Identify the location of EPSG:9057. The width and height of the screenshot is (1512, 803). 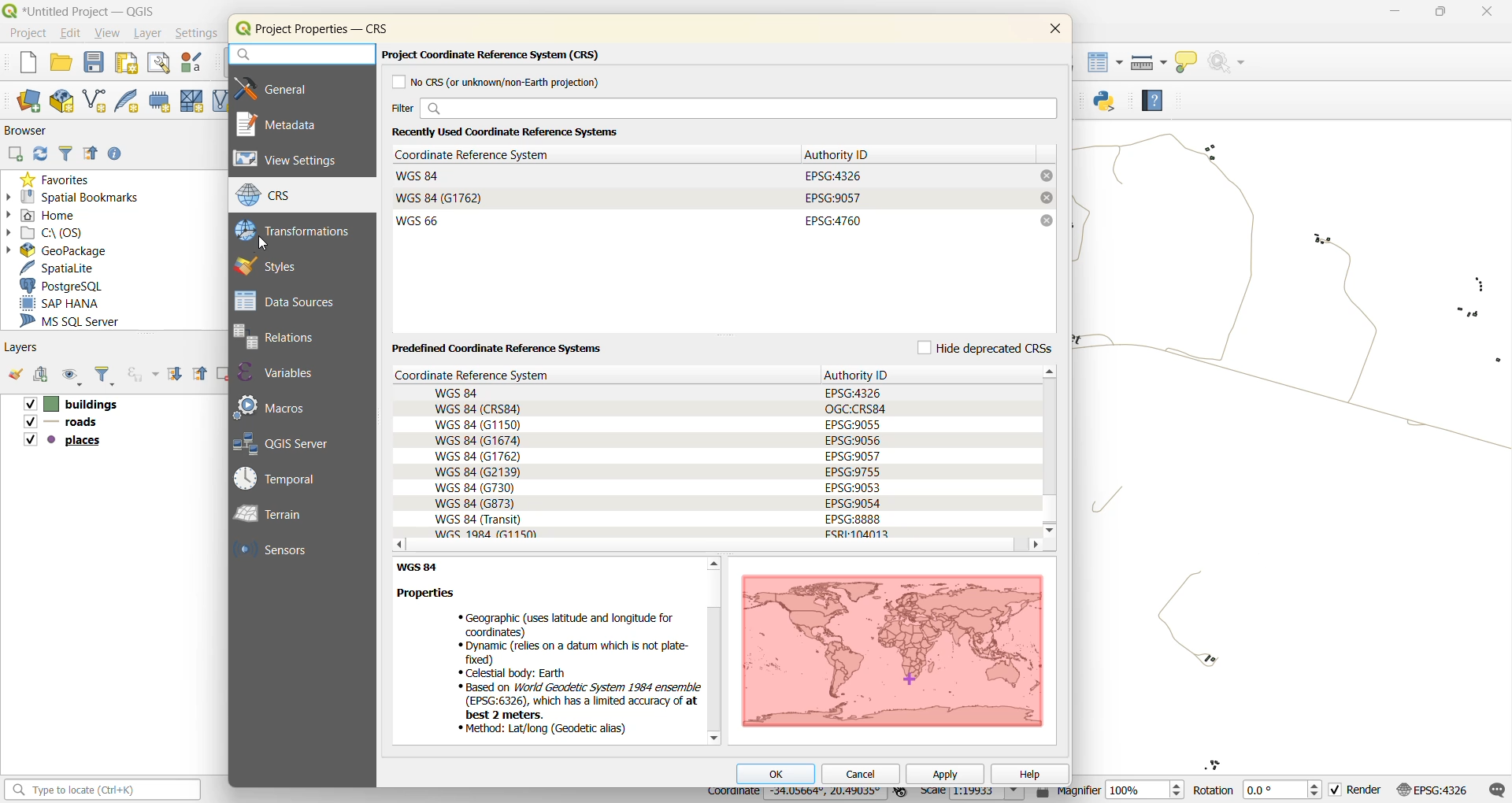
(833, 198).